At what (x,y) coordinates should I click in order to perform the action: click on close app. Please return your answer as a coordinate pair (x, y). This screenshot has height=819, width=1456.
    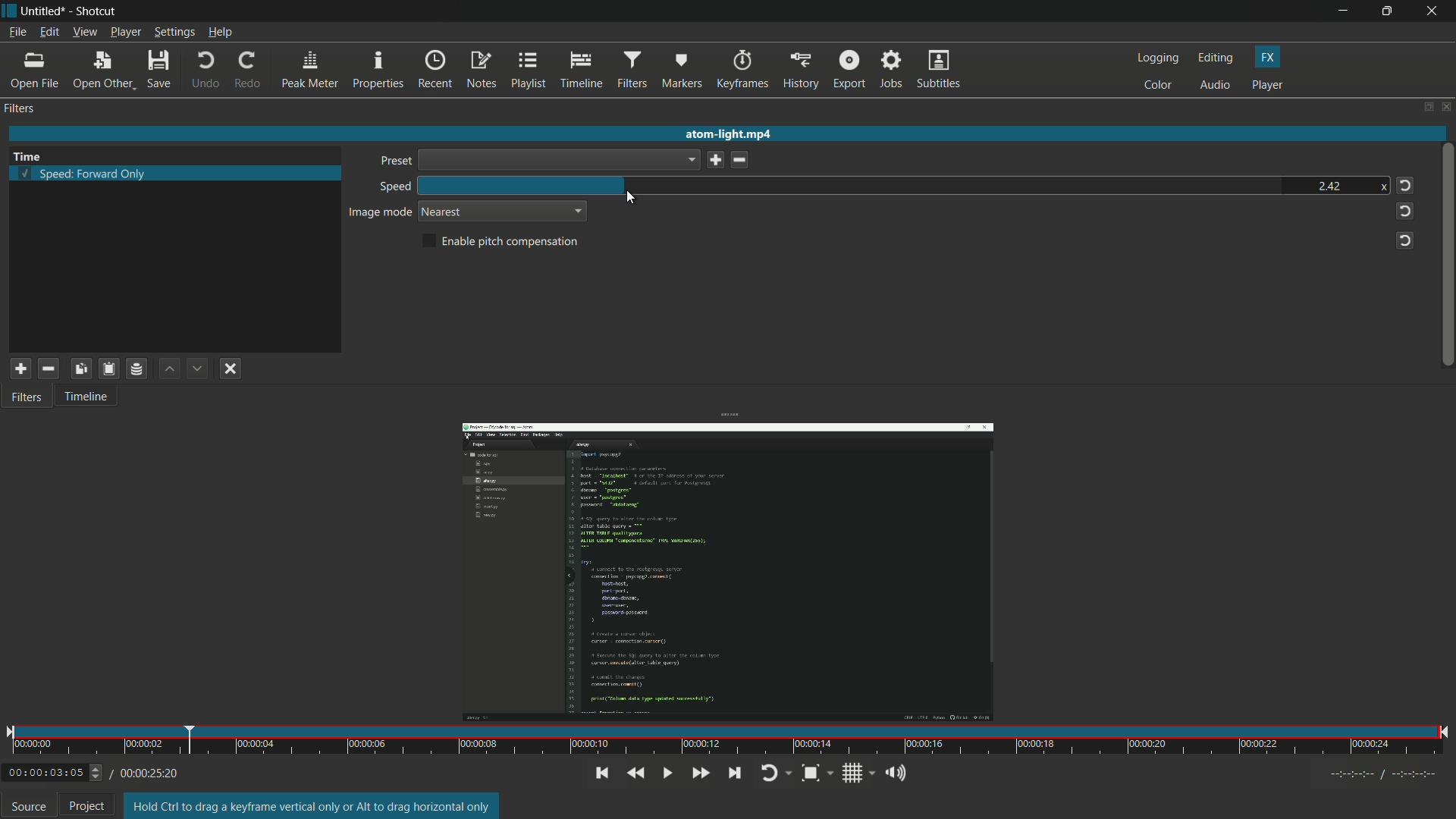
    Looking at the image, I should click on (1435, 11).